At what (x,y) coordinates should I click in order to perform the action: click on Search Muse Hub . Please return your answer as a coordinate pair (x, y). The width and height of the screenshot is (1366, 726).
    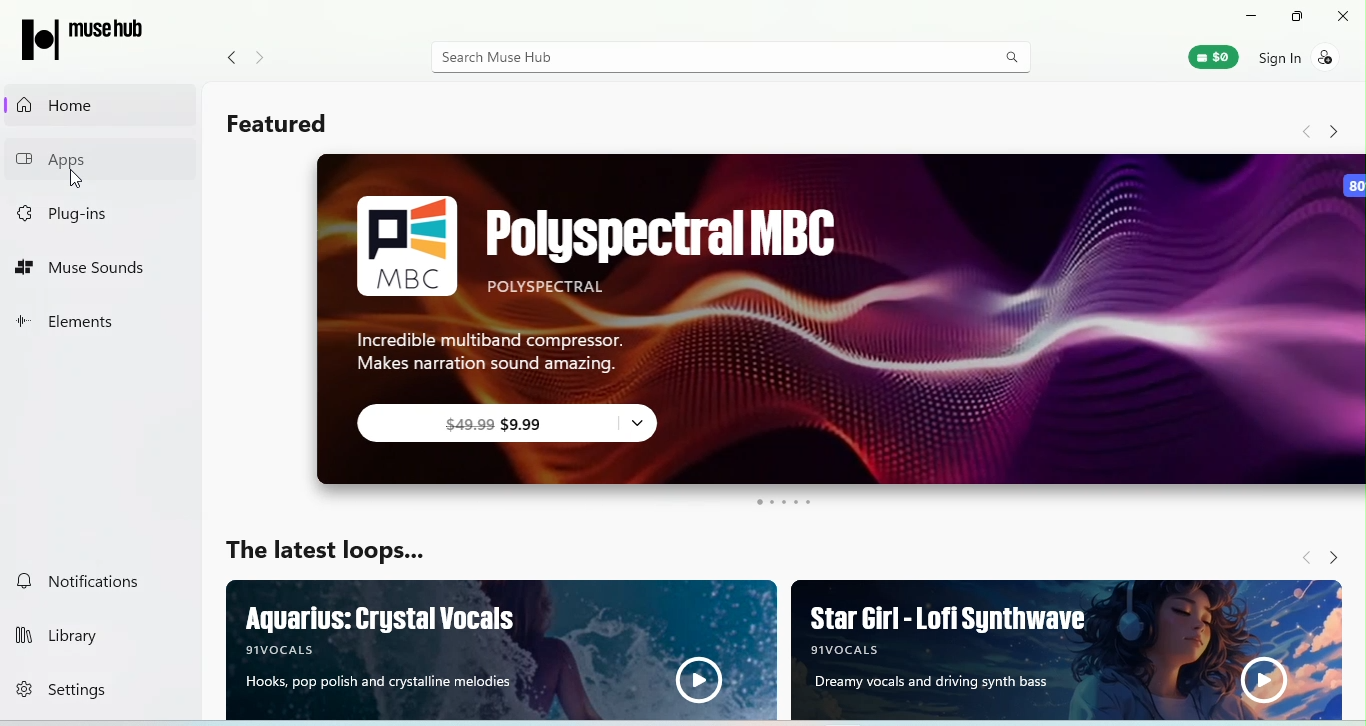
    Looking at the image, I should click on (700, 58).